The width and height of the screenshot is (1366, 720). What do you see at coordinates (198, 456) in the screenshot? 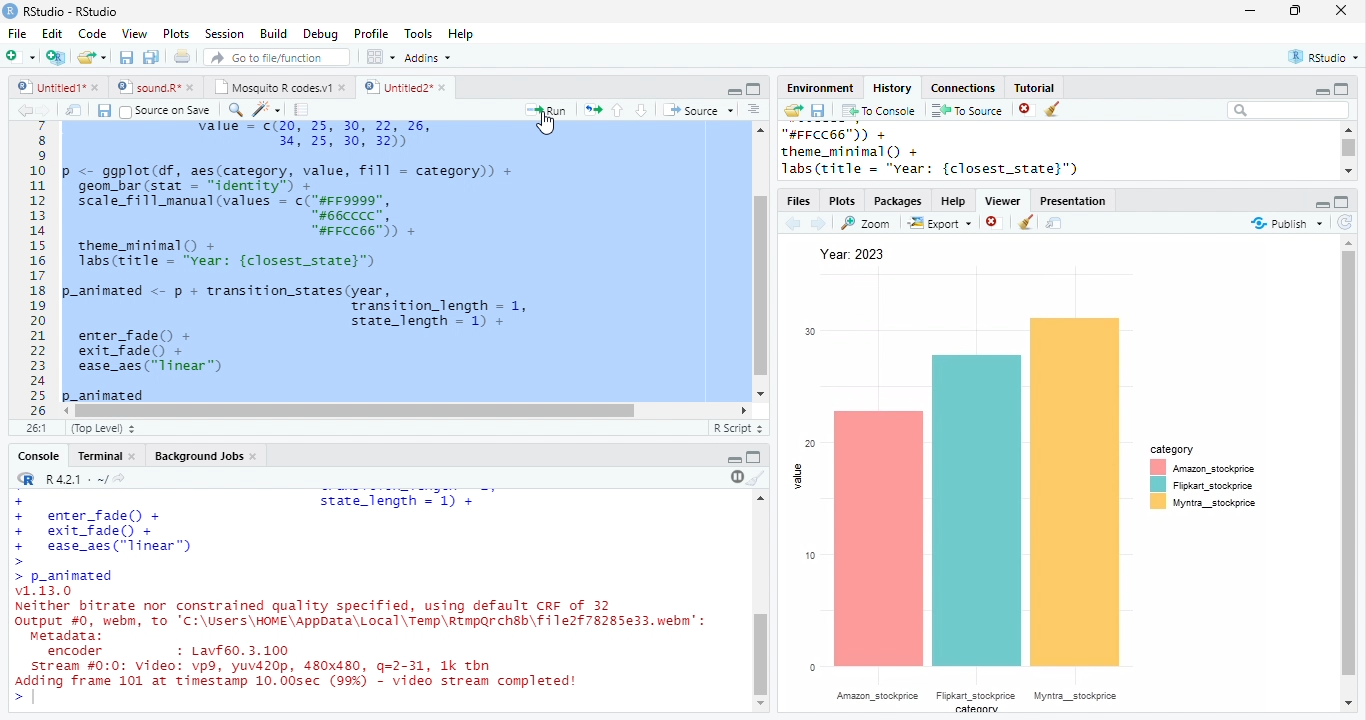
I see `Background Jobs` at bounding box center [198, 456].